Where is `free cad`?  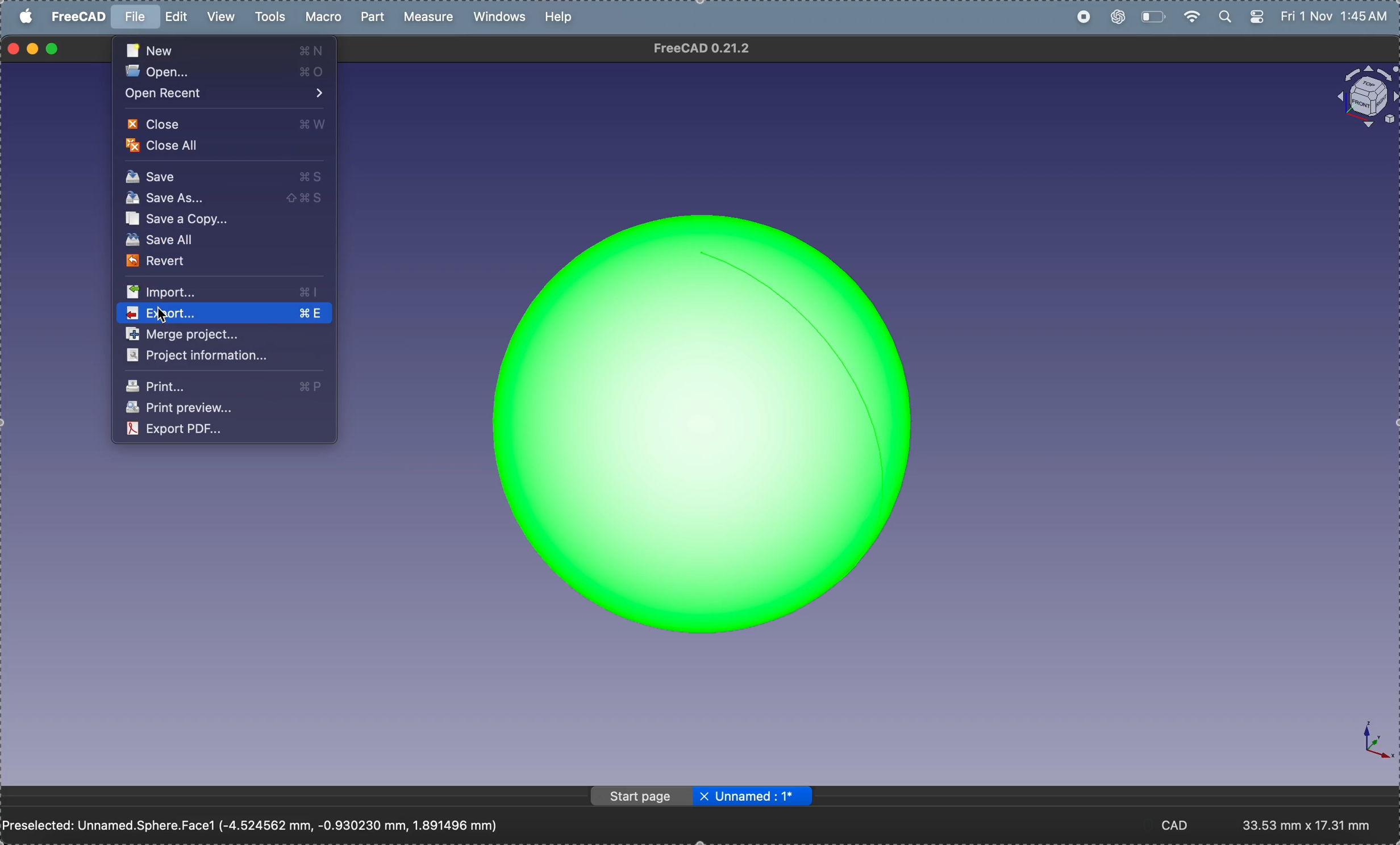
free cad is located at coordinates (80, 19).